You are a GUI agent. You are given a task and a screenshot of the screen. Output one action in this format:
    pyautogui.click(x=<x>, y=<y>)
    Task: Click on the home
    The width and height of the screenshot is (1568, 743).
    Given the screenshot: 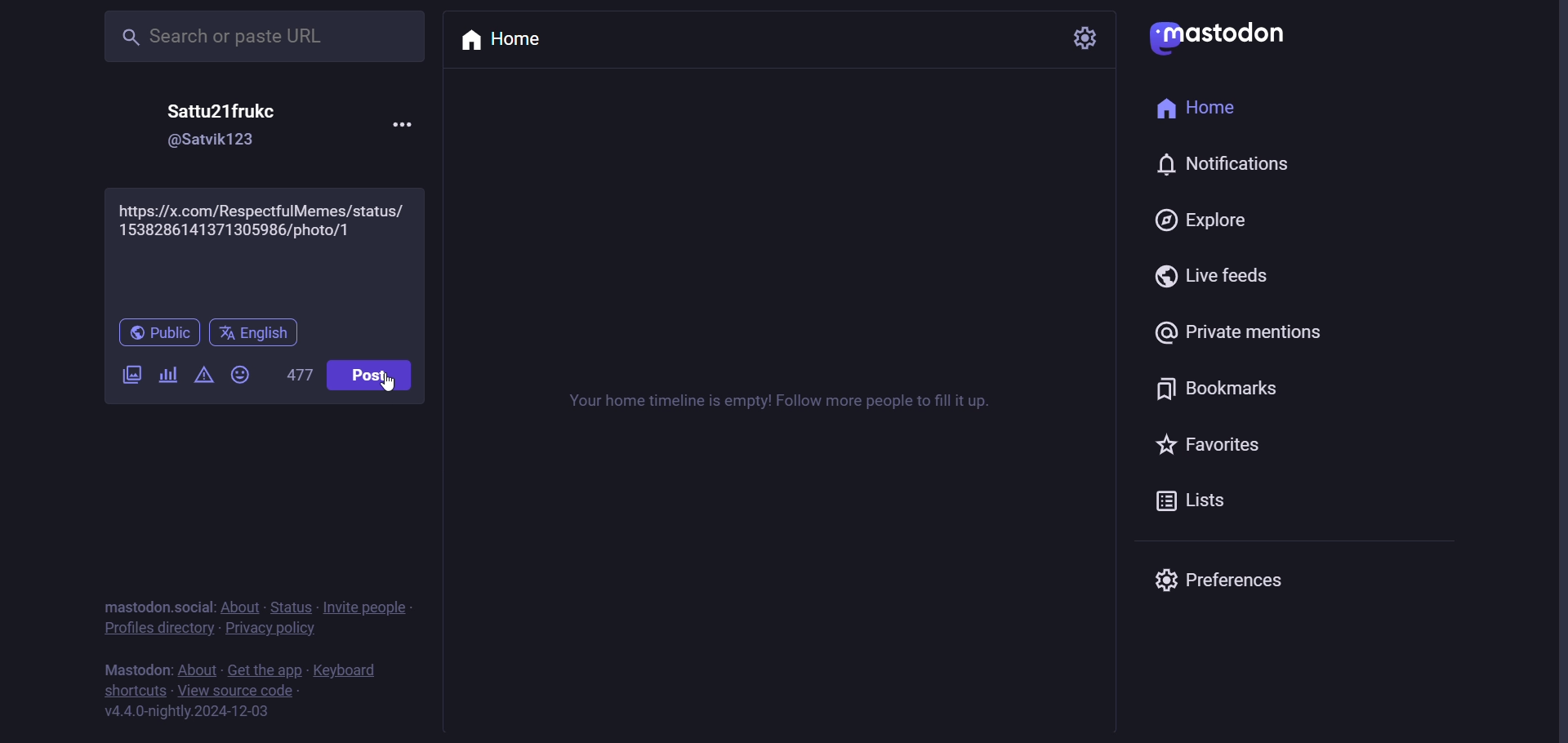 What is the action you would take?
    pyautogui.click(x=505, y=43)
    